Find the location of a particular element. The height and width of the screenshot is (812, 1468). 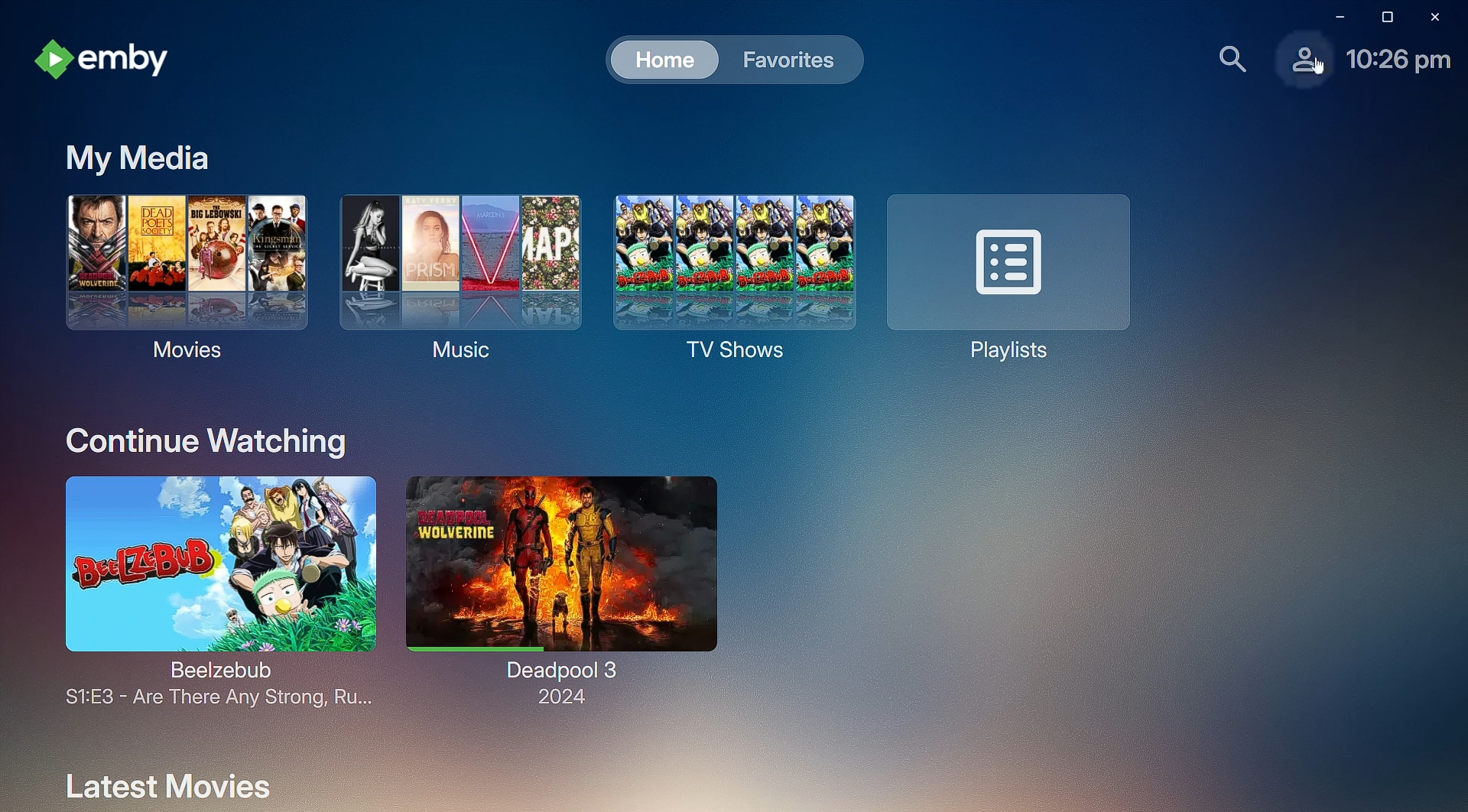

Continue Watching is located at coordinates (206, 440).